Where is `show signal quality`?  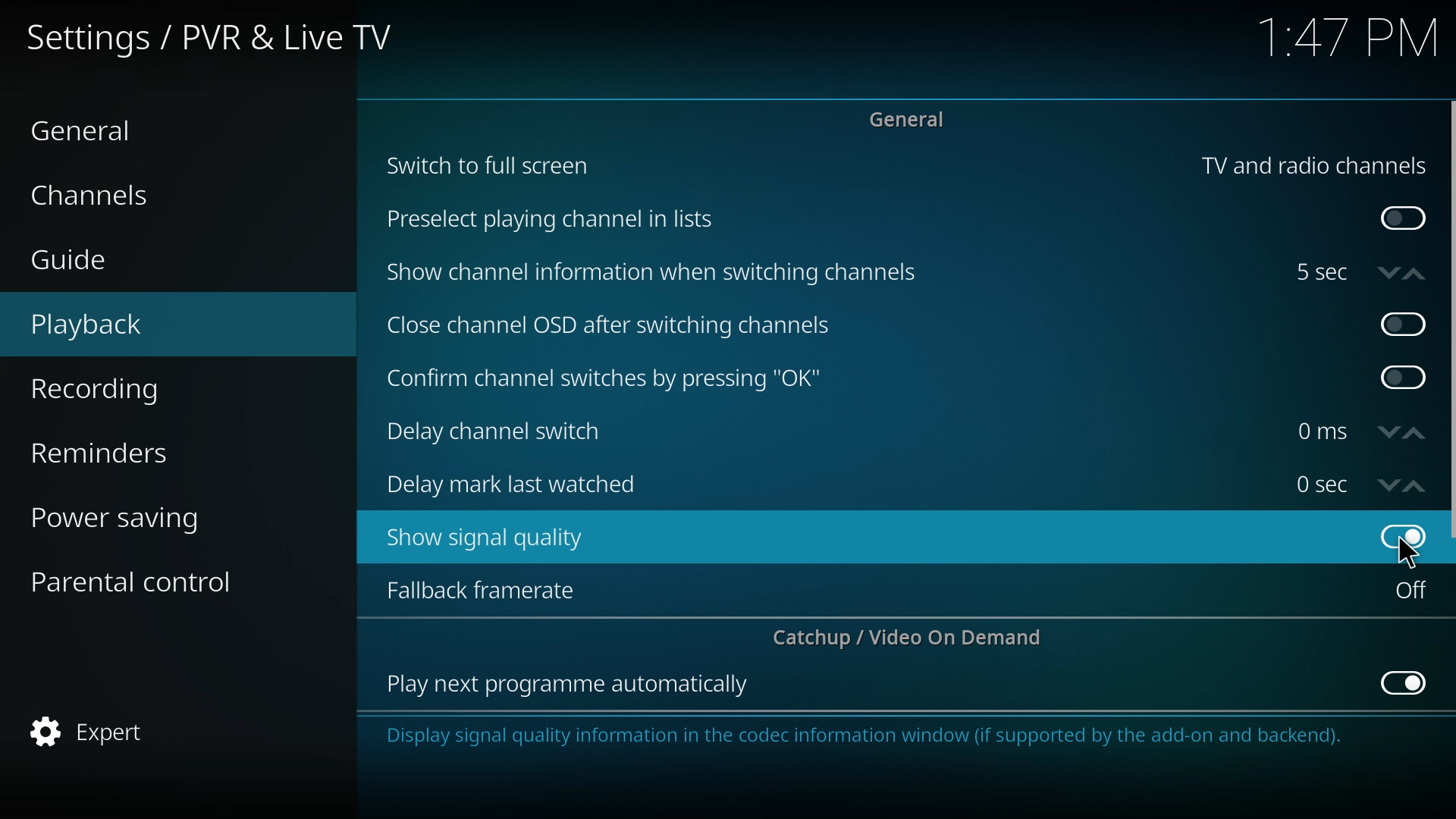 show signal quality is located at coordinates (496, 538).